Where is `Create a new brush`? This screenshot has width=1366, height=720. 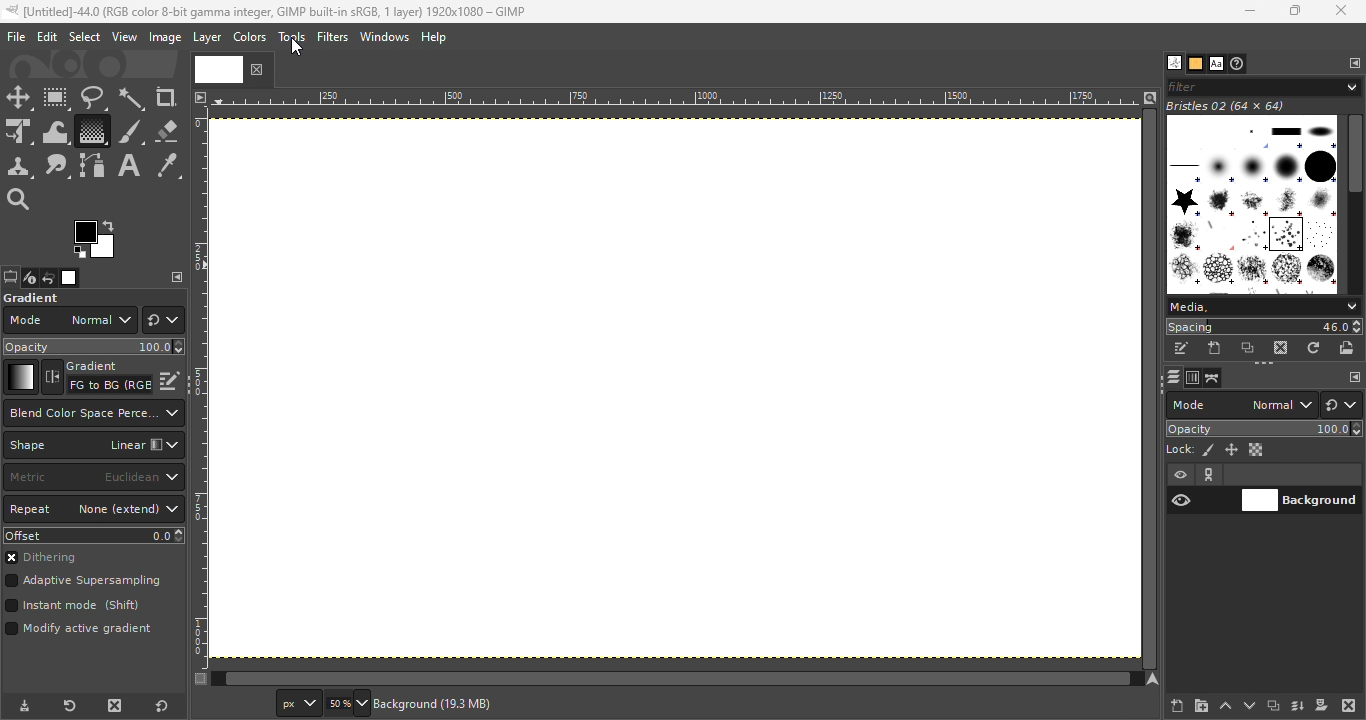 Create a new brush is located at coordinates (1216, 348).